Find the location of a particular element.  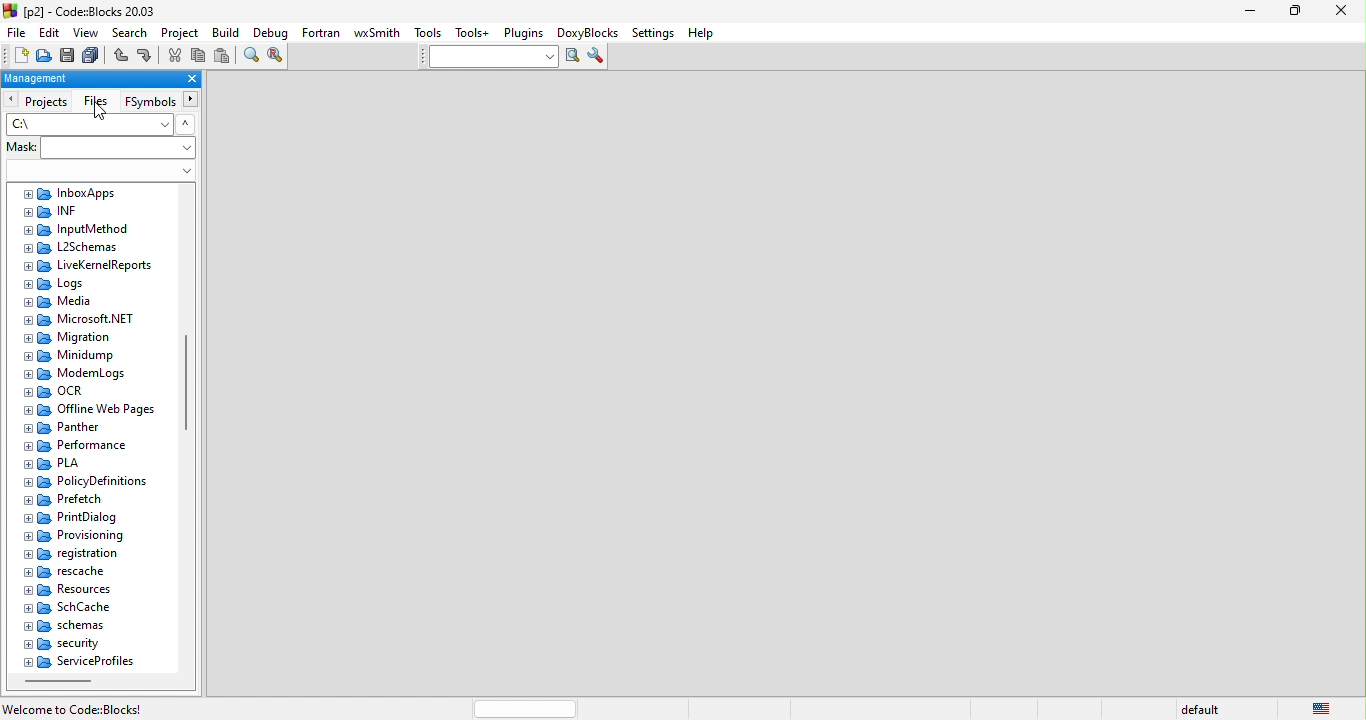

media is located at coordinates (85, 302).